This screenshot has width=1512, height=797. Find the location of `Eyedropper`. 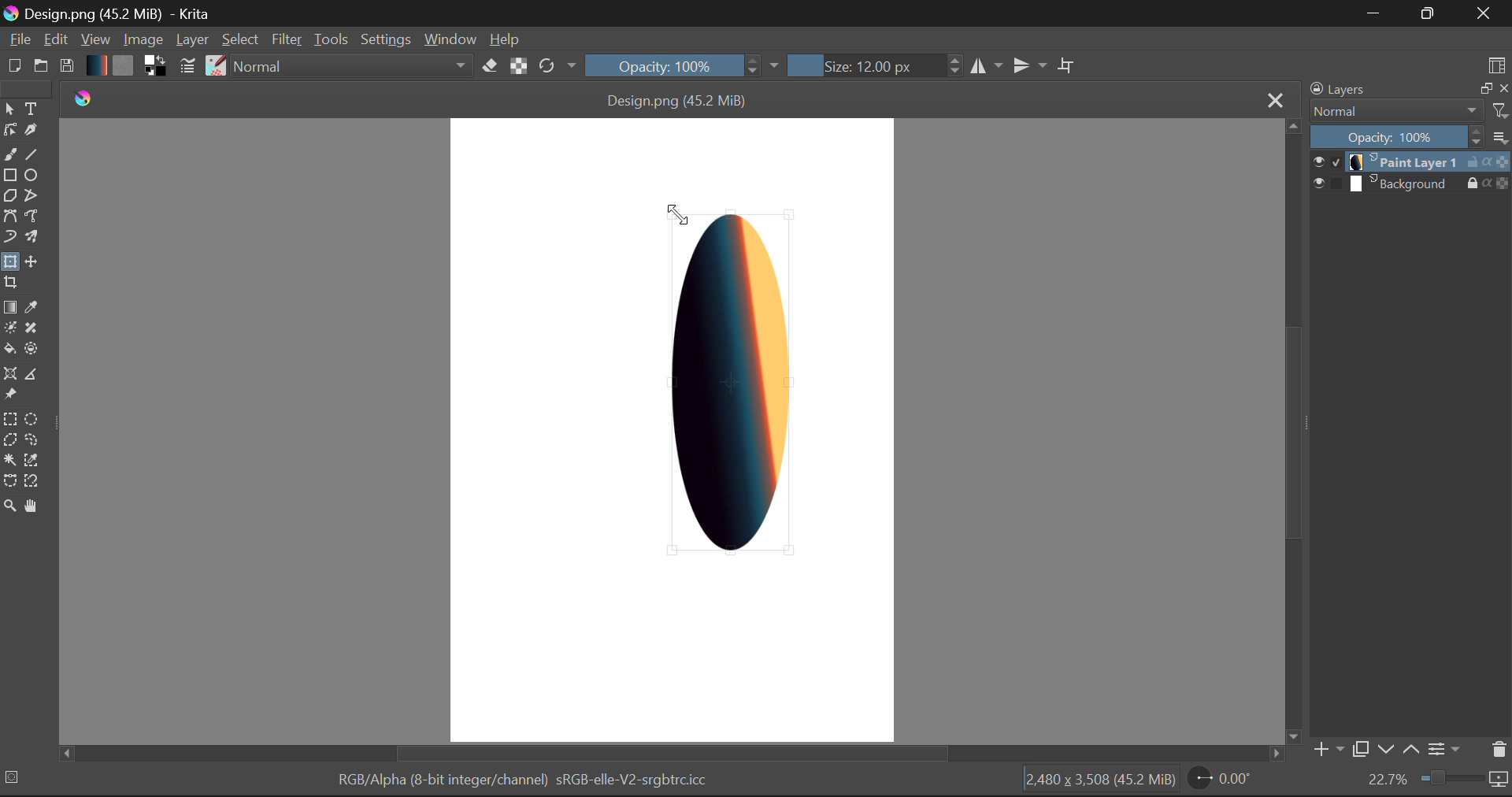

Eyedropper is located at coordinates (32, 306).